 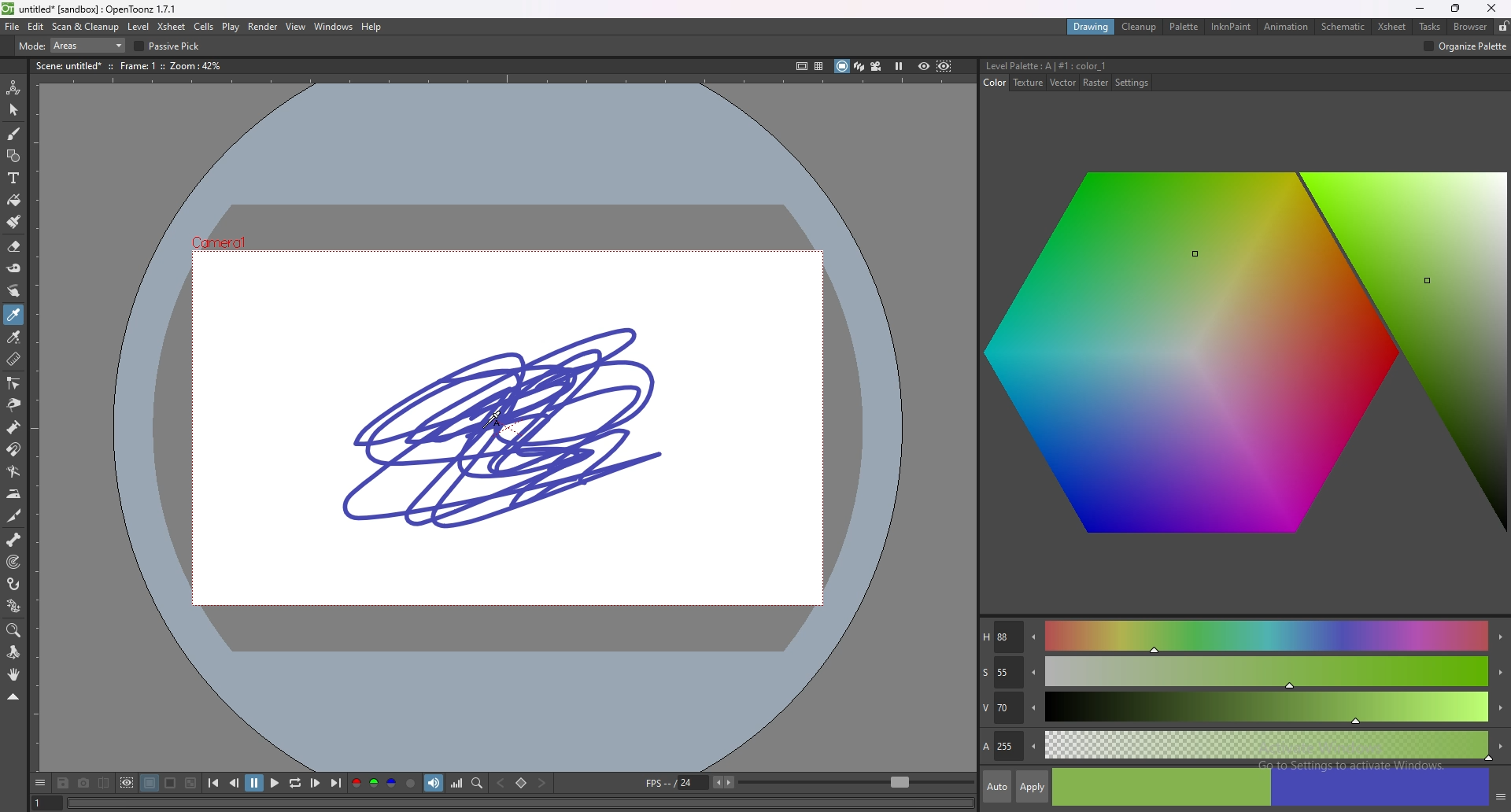 What do you see at coordinates (1430, 27) in the screenshot?
I see `tasks` at bounding box center [1430, 27].